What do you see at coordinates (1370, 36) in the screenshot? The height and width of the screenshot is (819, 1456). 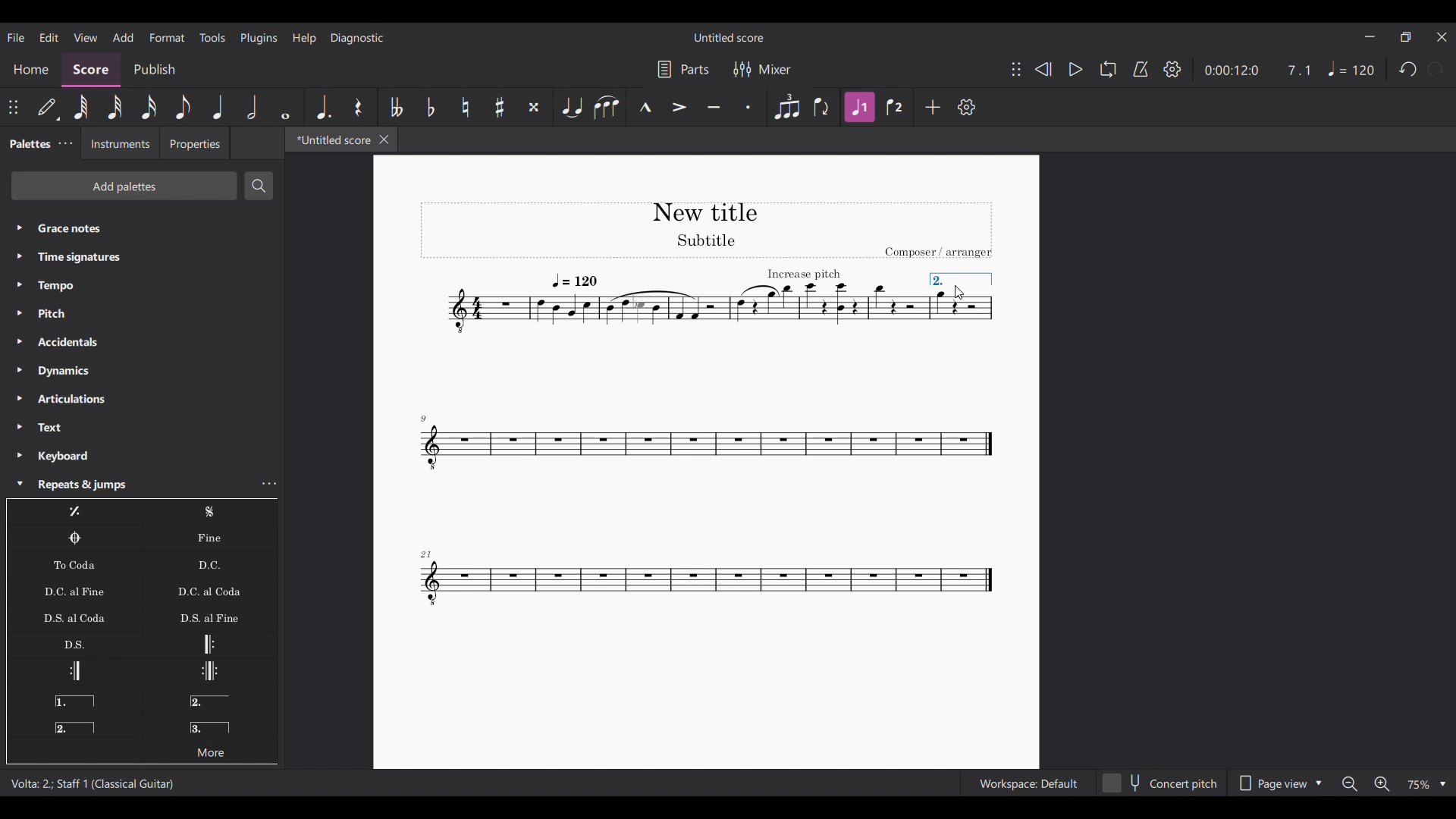 I see `Minimize` at bounding box center [1370, 36].